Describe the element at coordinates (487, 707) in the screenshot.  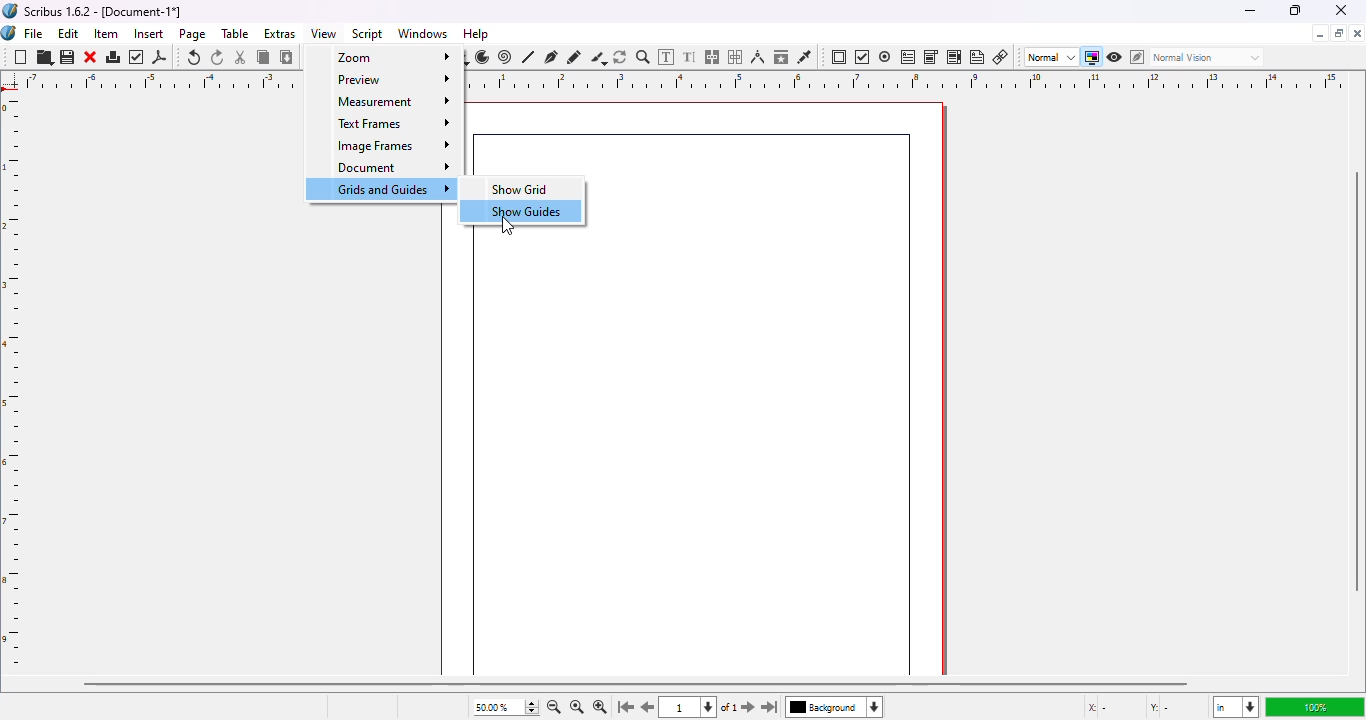
I see `50.00%` at that location.